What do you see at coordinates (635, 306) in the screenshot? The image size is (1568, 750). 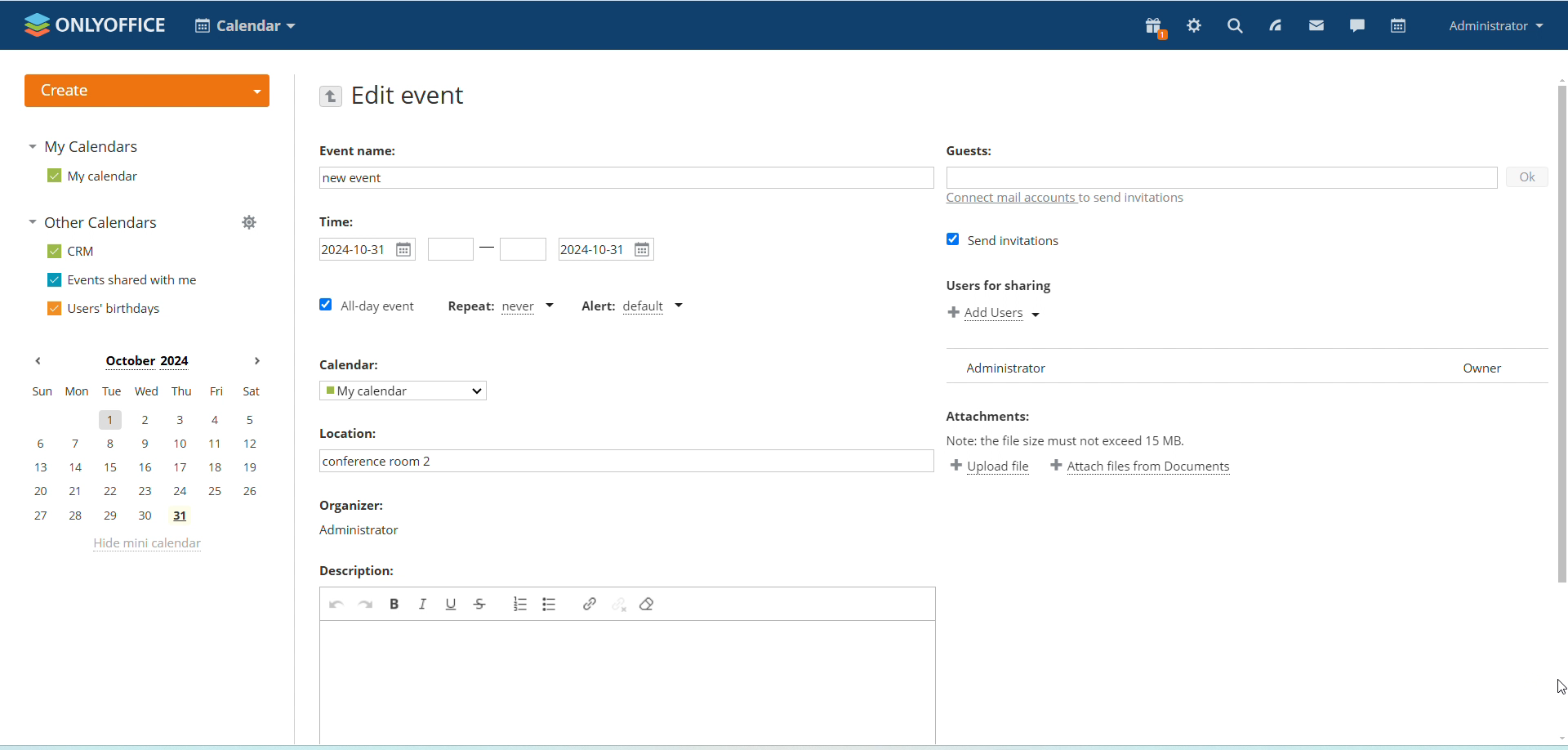 I see `alert type` at bounding box center [635, 306].